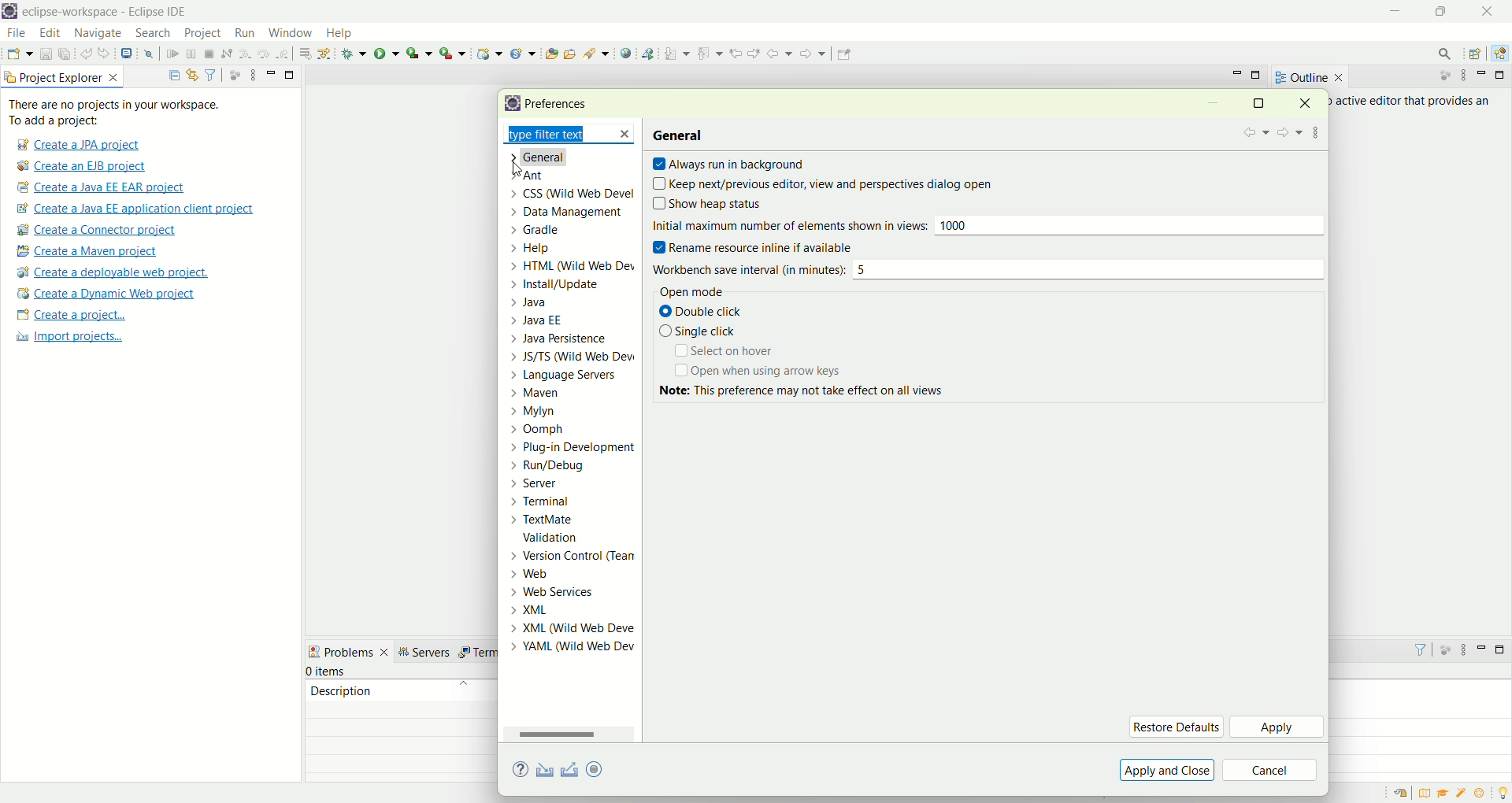 The height and width of the screenshot is (803, 1512). I want to click on next edit location, so click(756, 52).